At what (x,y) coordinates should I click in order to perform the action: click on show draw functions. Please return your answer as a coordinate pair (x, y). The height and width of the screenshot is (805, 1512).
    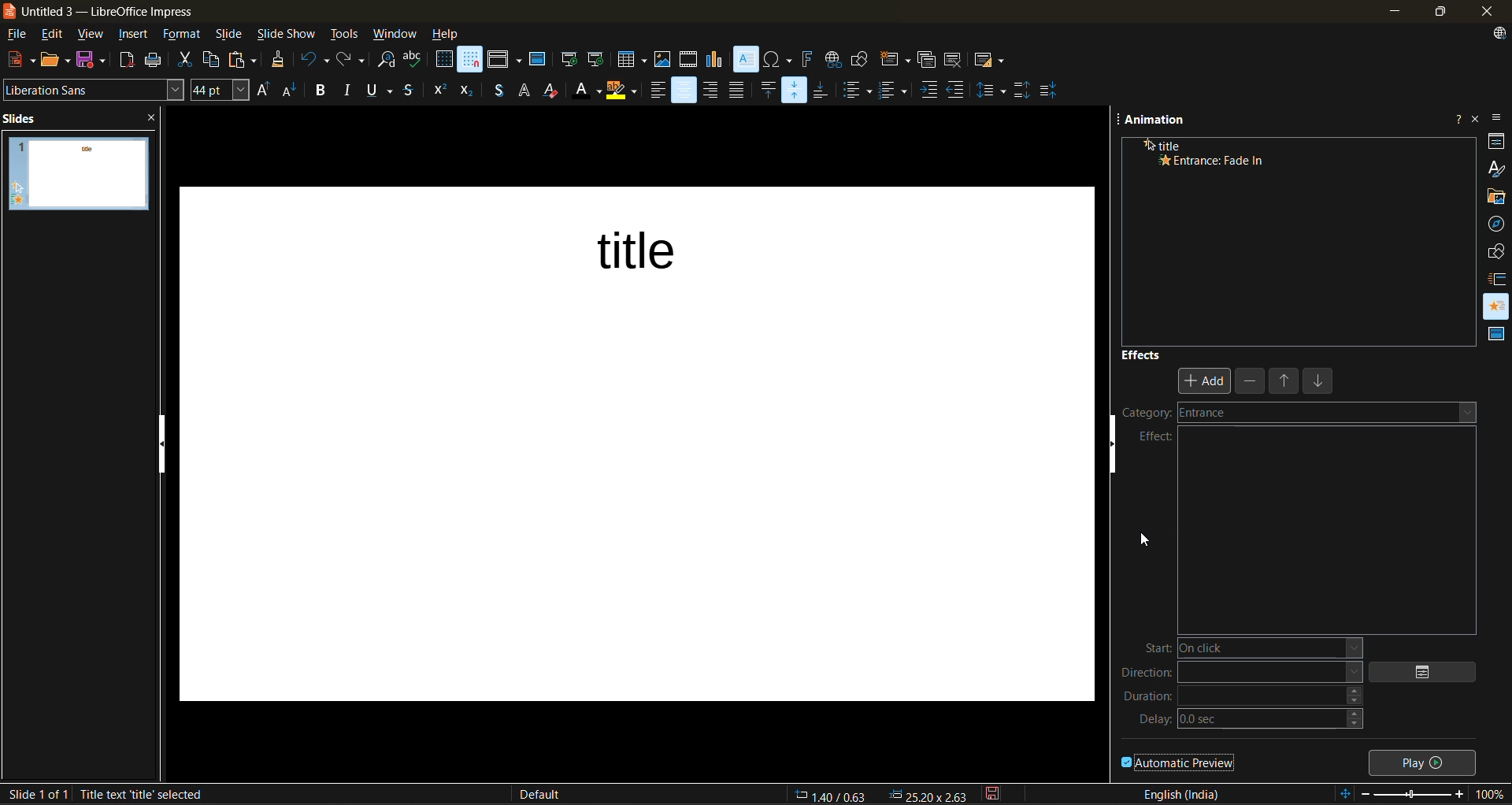
    Looking at the image, I should click on (861, 57).